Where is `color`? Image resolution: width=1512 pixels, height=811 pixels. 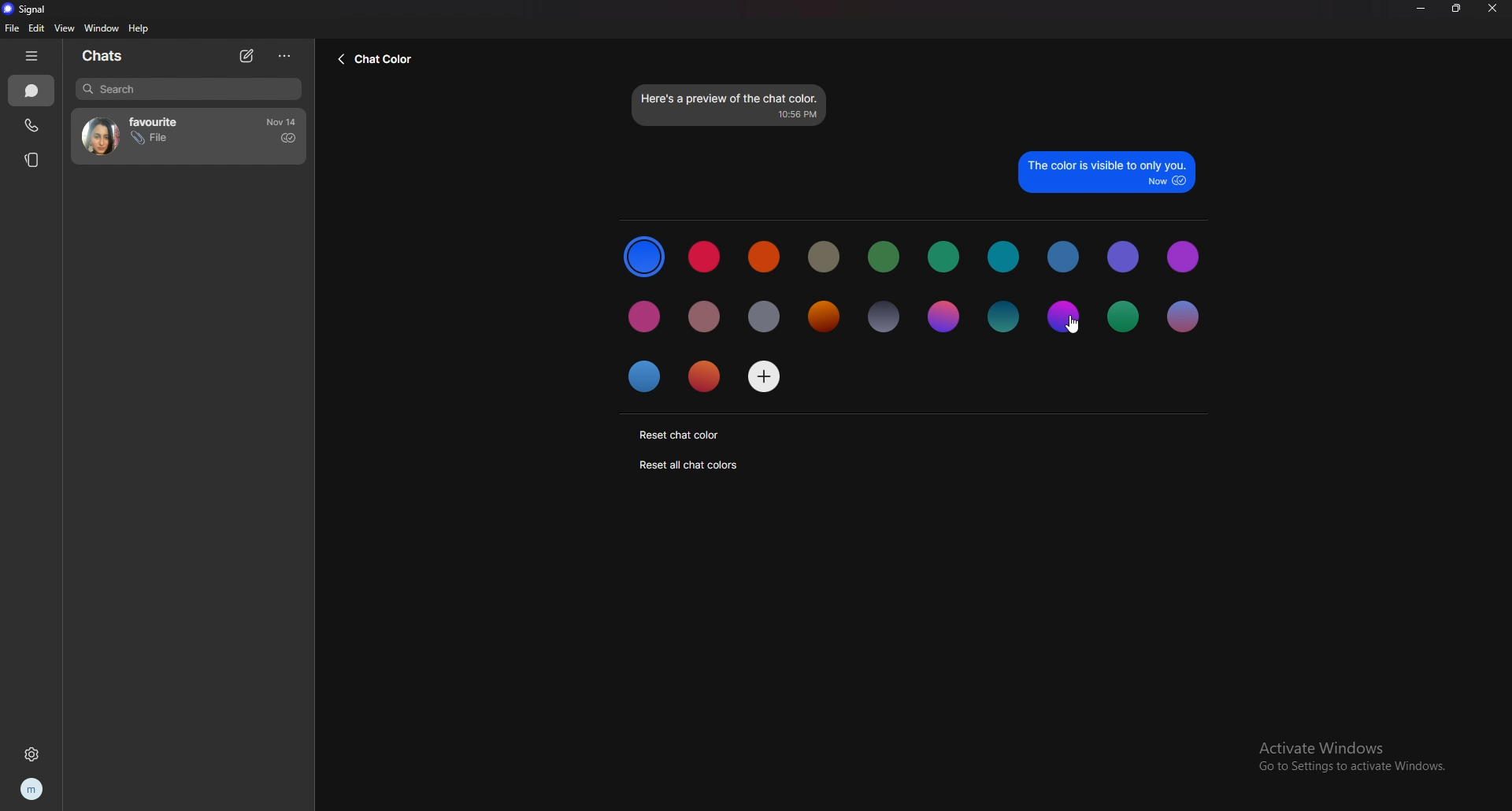 color is located at coordinates (1062, 317).